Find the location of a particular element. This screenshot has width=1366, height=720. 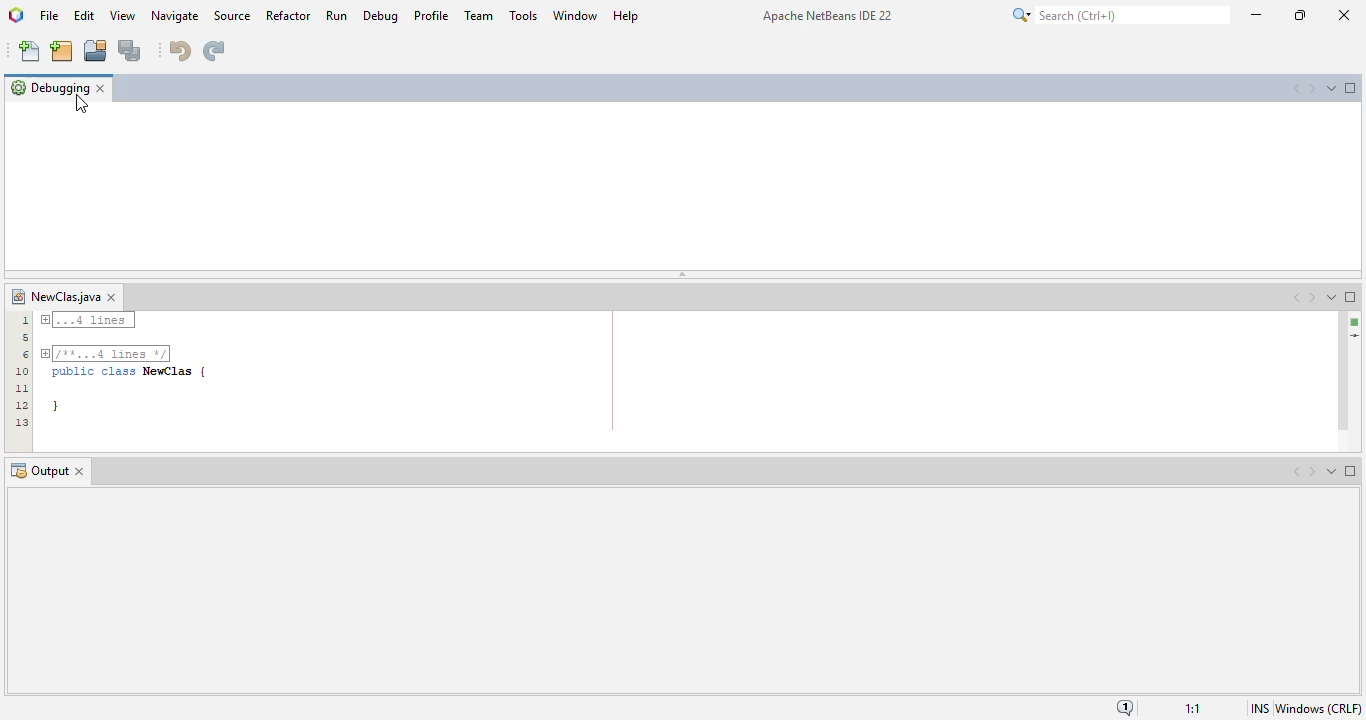

open project is located at coordinates (96, 52).